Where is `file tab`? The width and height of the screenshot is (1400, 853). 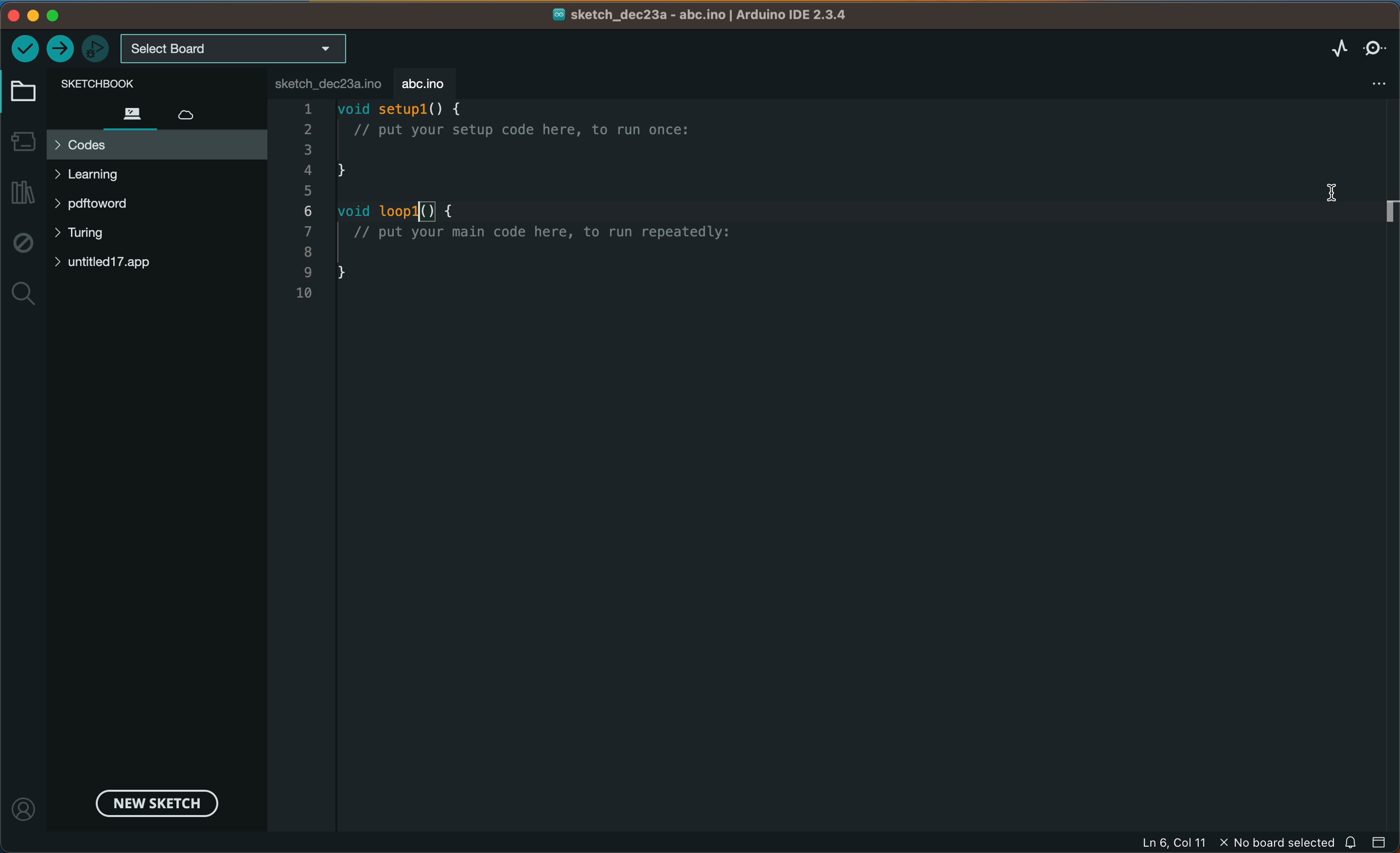 file tab is located at coordinates (320, 81).